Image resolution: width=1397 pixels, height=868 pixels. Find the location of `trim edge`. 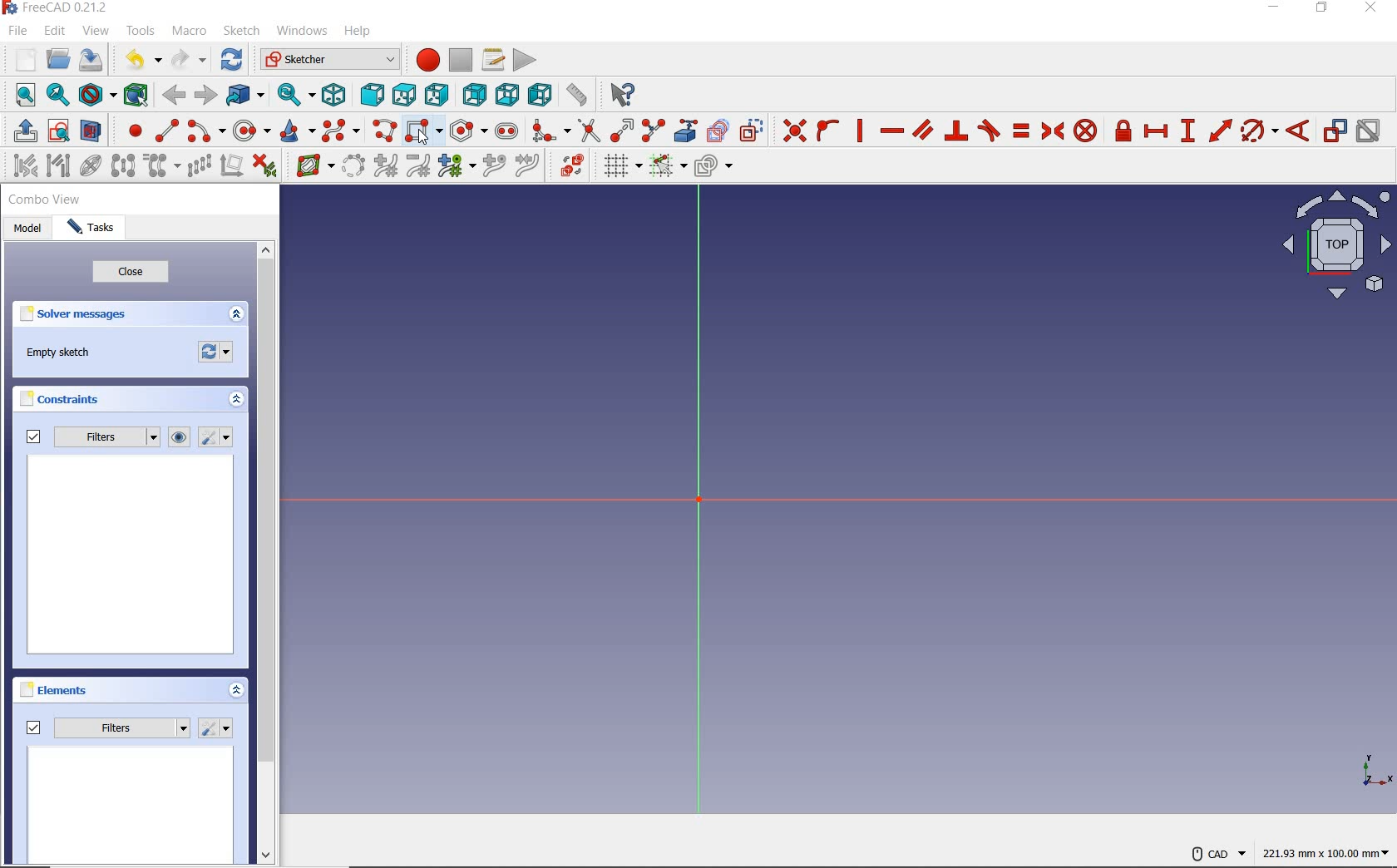

trim edge is located at coordinates (588, 131).